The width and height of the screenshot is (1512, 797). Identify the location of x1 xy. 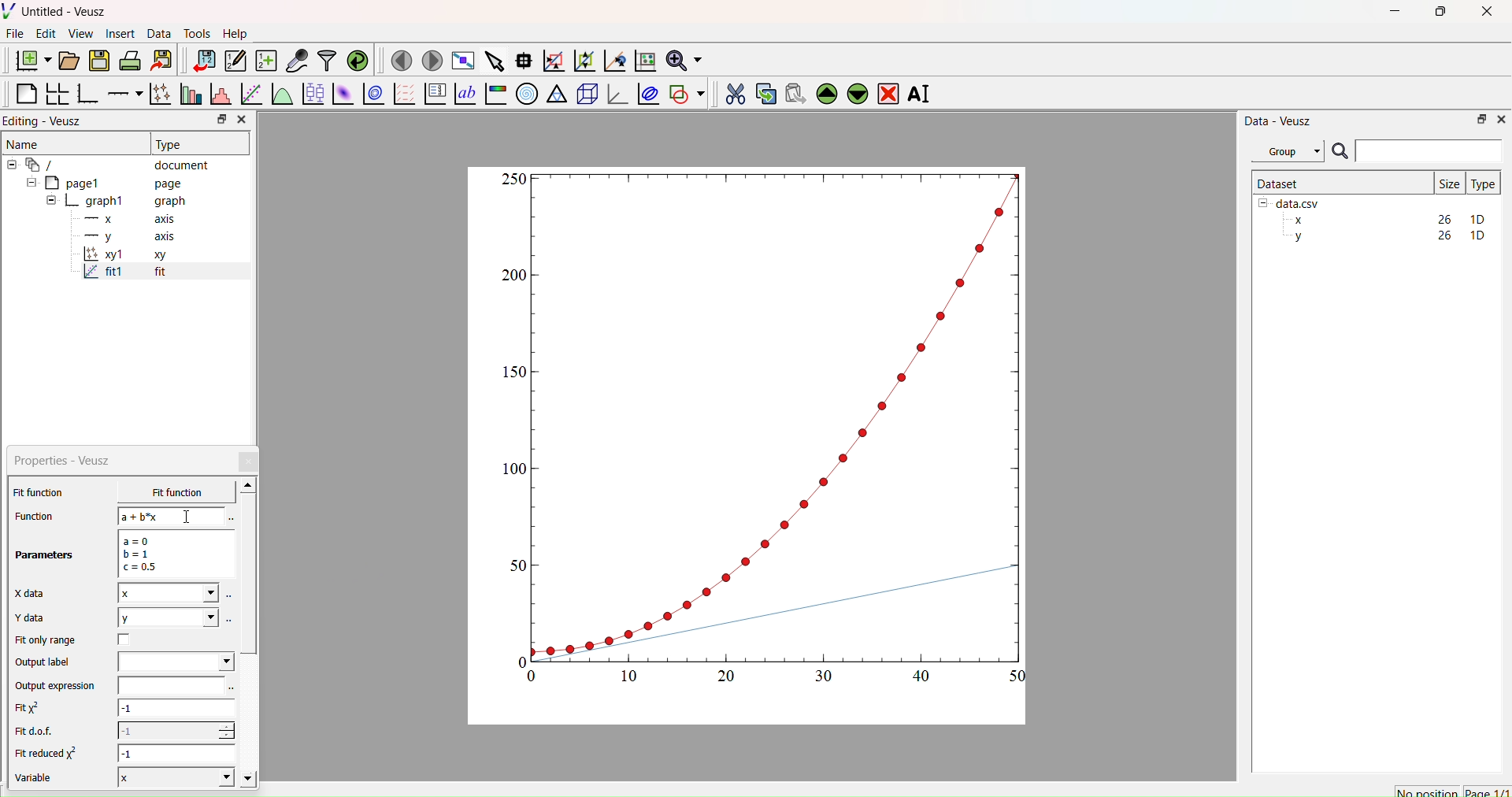
(124, 256).